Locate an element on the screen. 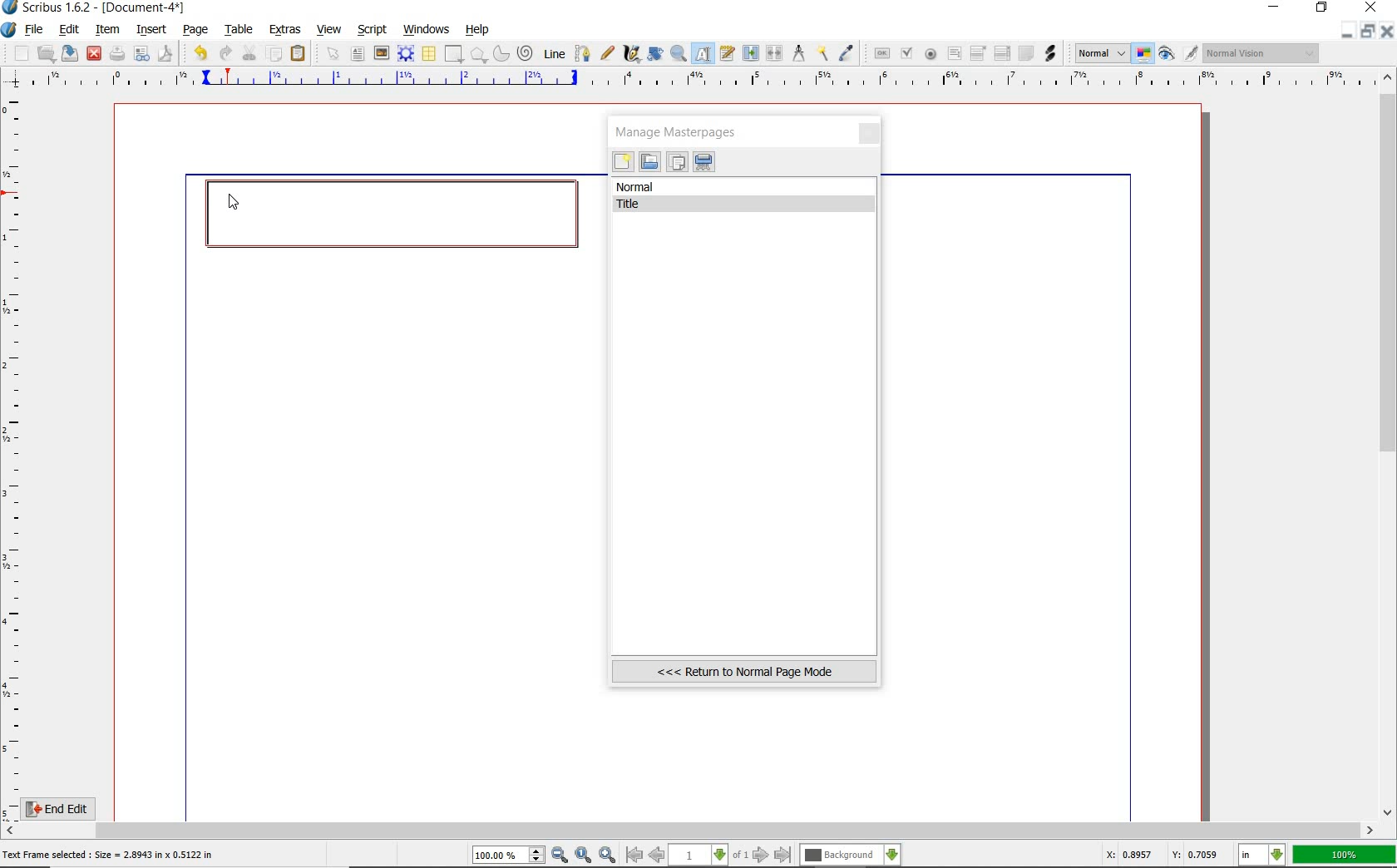 The height and width of the screenshot is (868, 1397). redo is located at coordinates (225, 52).